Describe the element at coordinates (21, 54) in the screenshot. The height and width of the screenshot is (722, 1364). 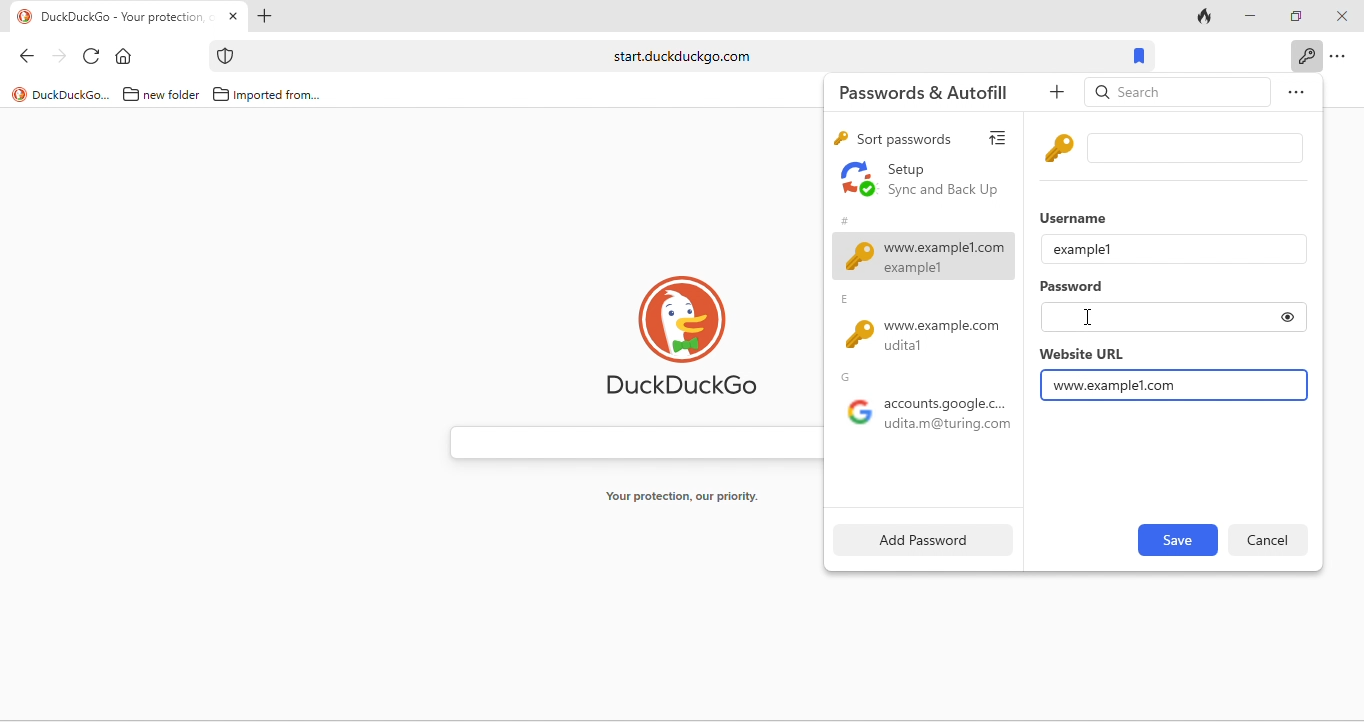
I see `back` at that location.